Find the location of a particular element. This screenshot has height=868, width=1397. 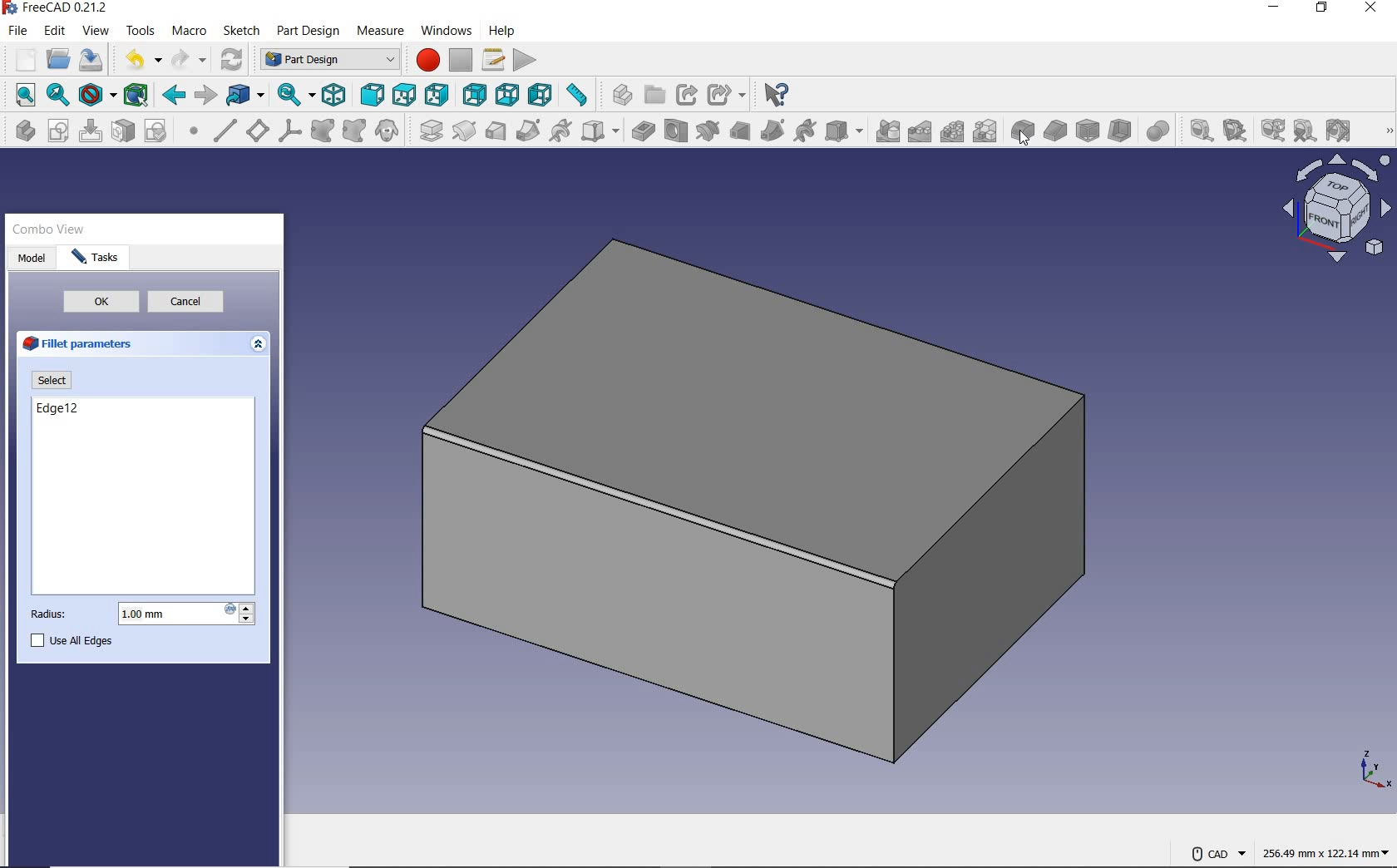

combo view is located at coordinates (48, 229).